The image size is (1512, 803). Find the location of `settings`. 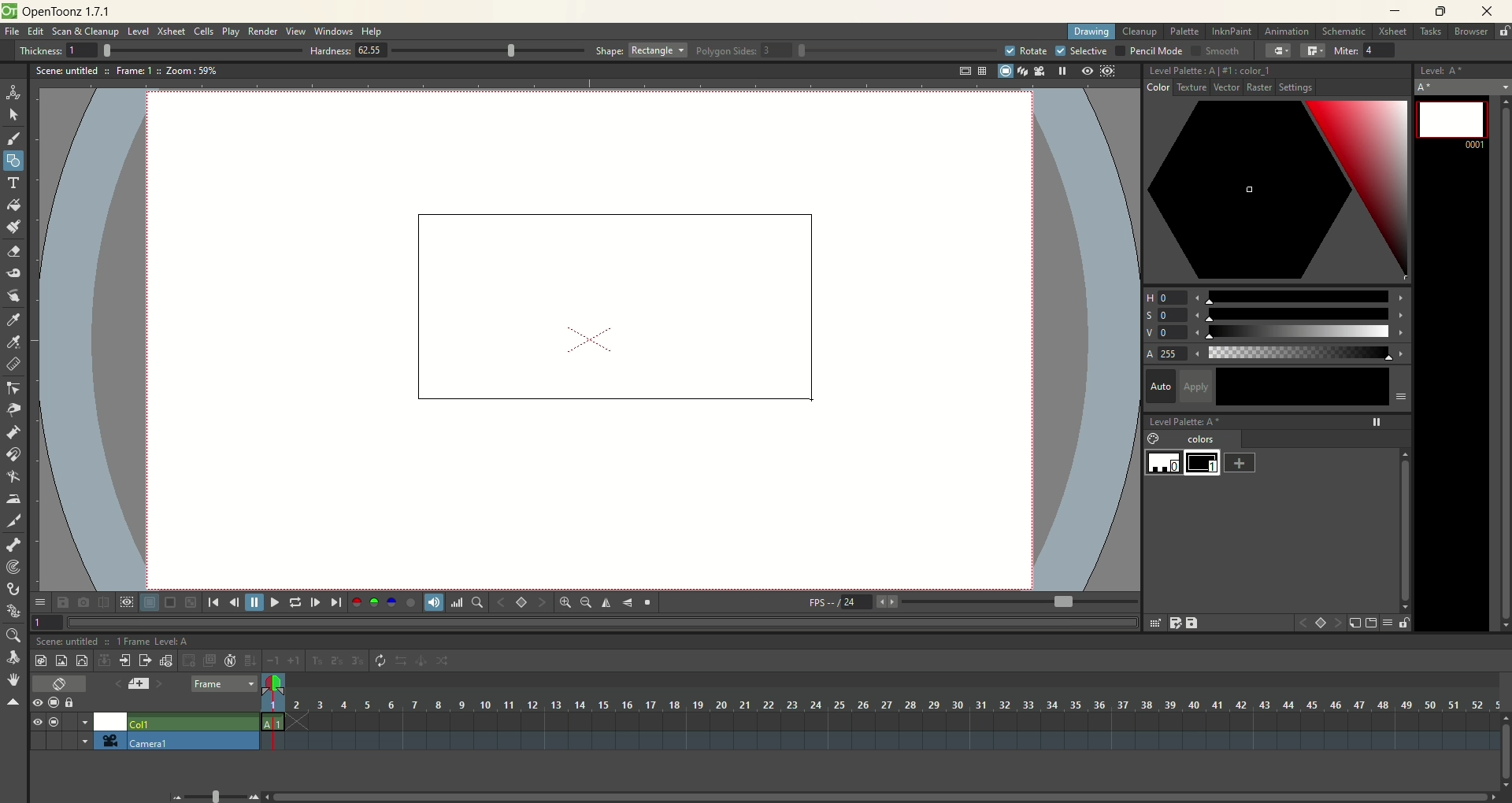

settings is located at coordinates (1216, 90).